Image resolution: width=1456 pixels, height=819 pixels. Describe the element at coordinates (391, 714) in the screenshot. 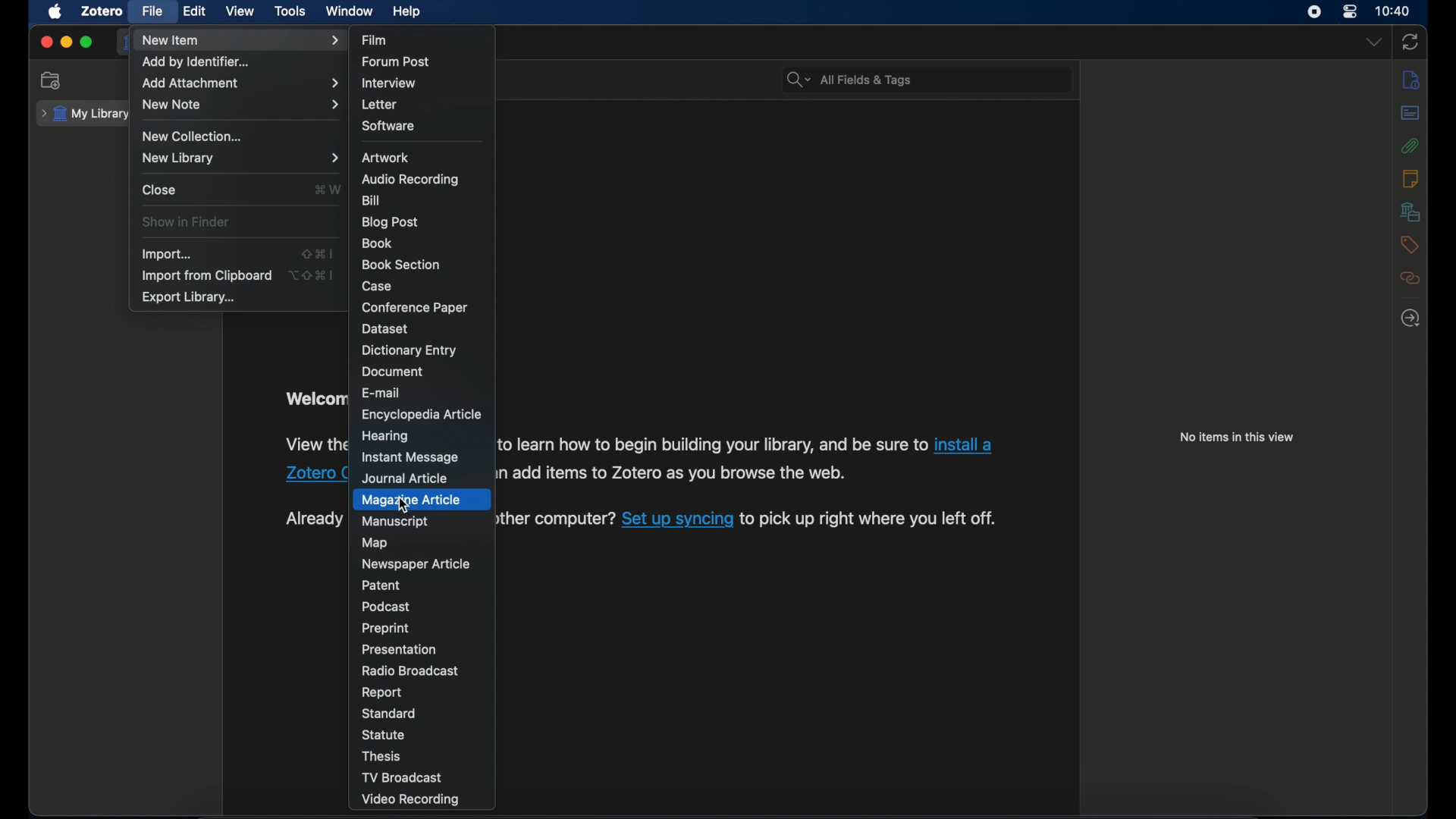

I see `standard` at that location.